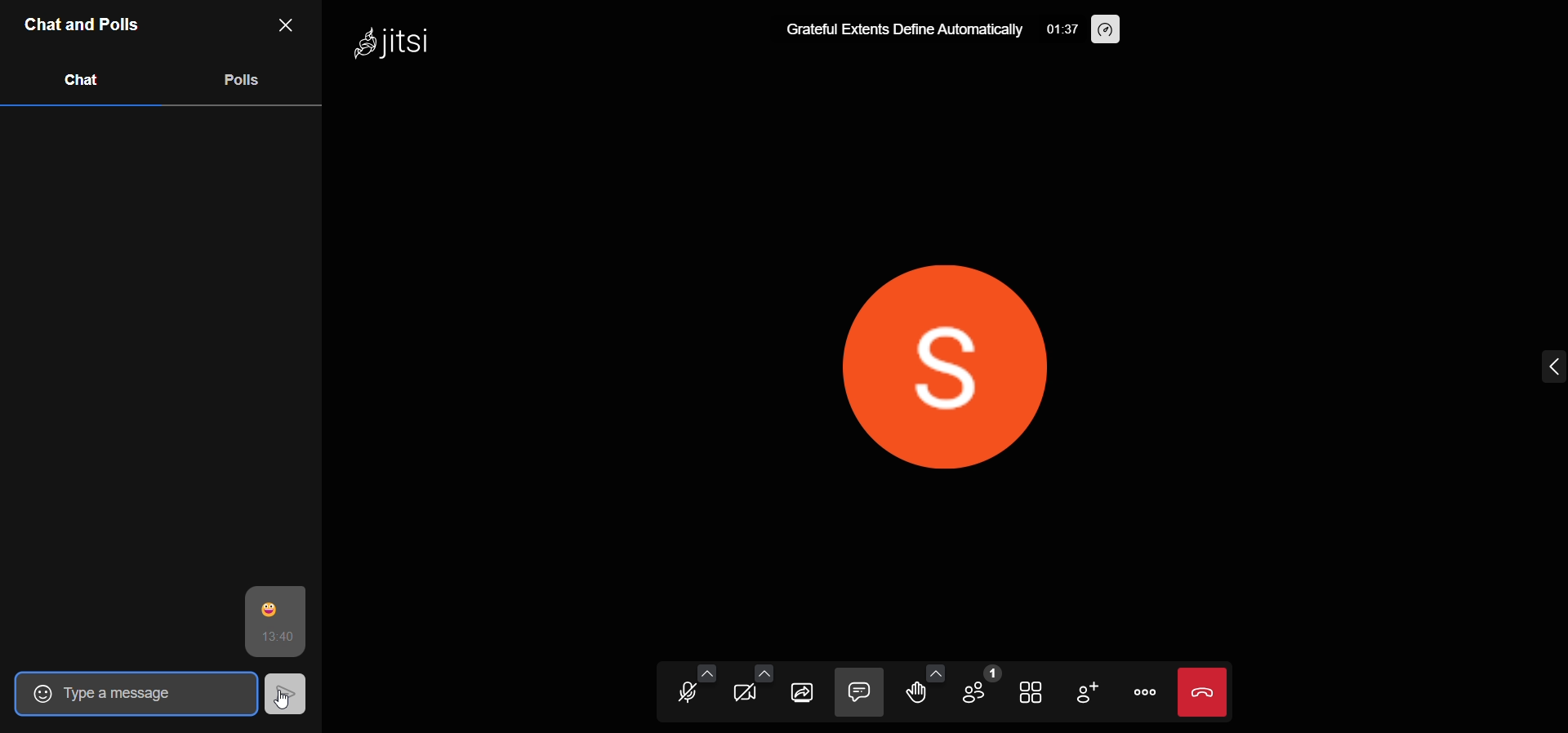  I want to click on chat, so click(78, 81).